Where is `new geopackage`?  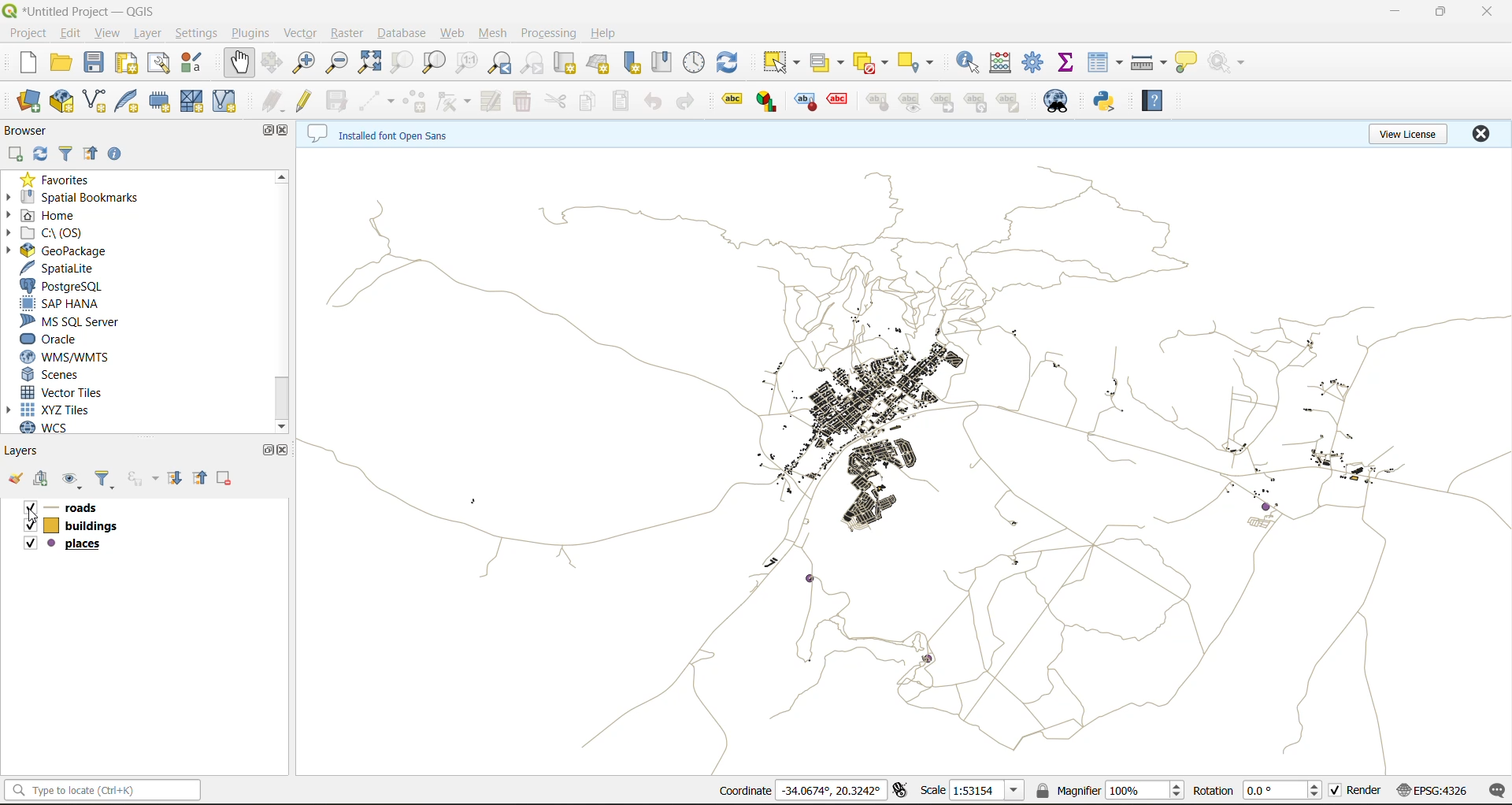
new geopackage is located at coordinates (61, 102).